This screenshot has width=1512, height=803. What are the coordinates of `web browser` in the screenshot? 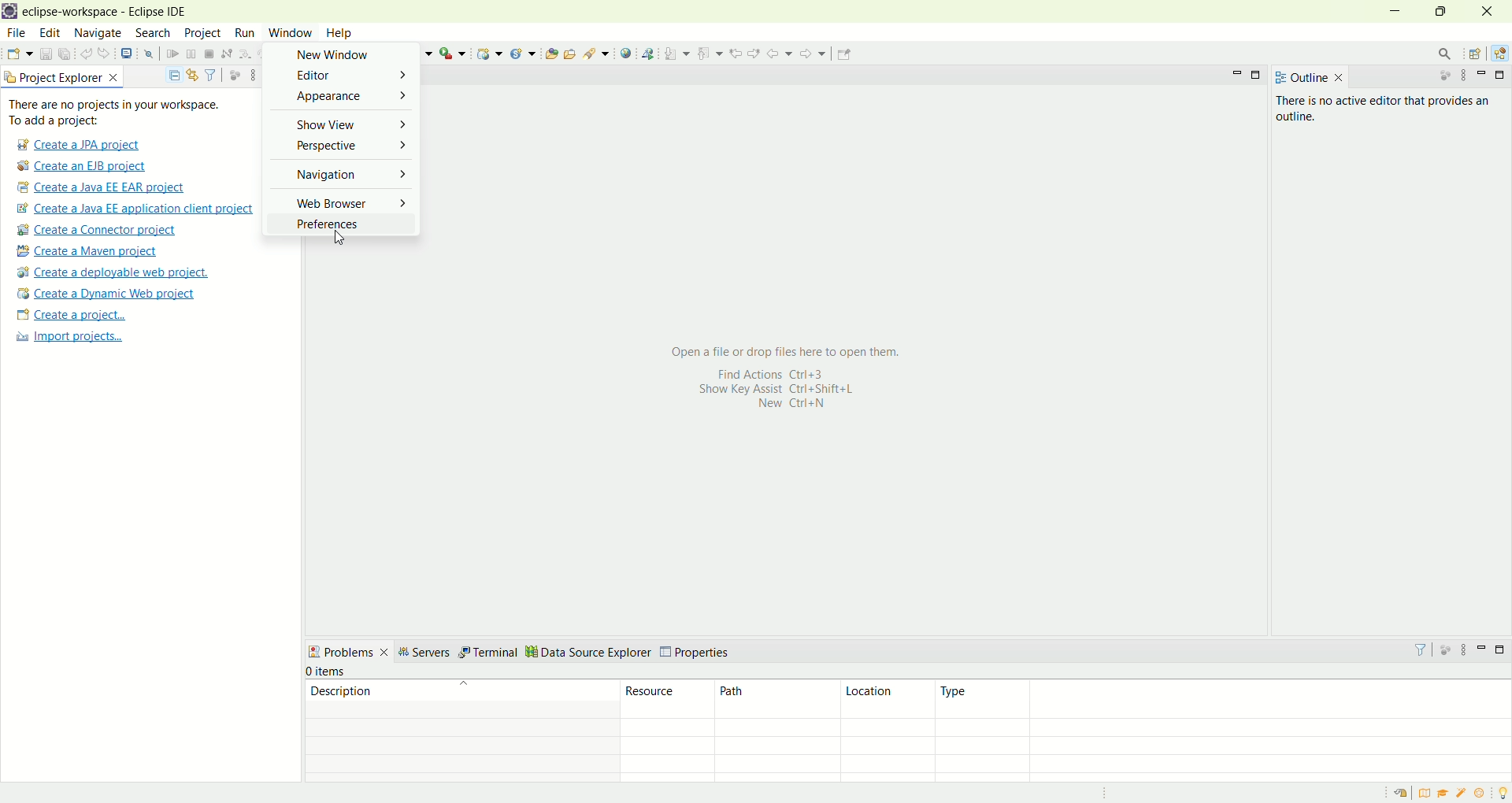 It's located at (342, 200).